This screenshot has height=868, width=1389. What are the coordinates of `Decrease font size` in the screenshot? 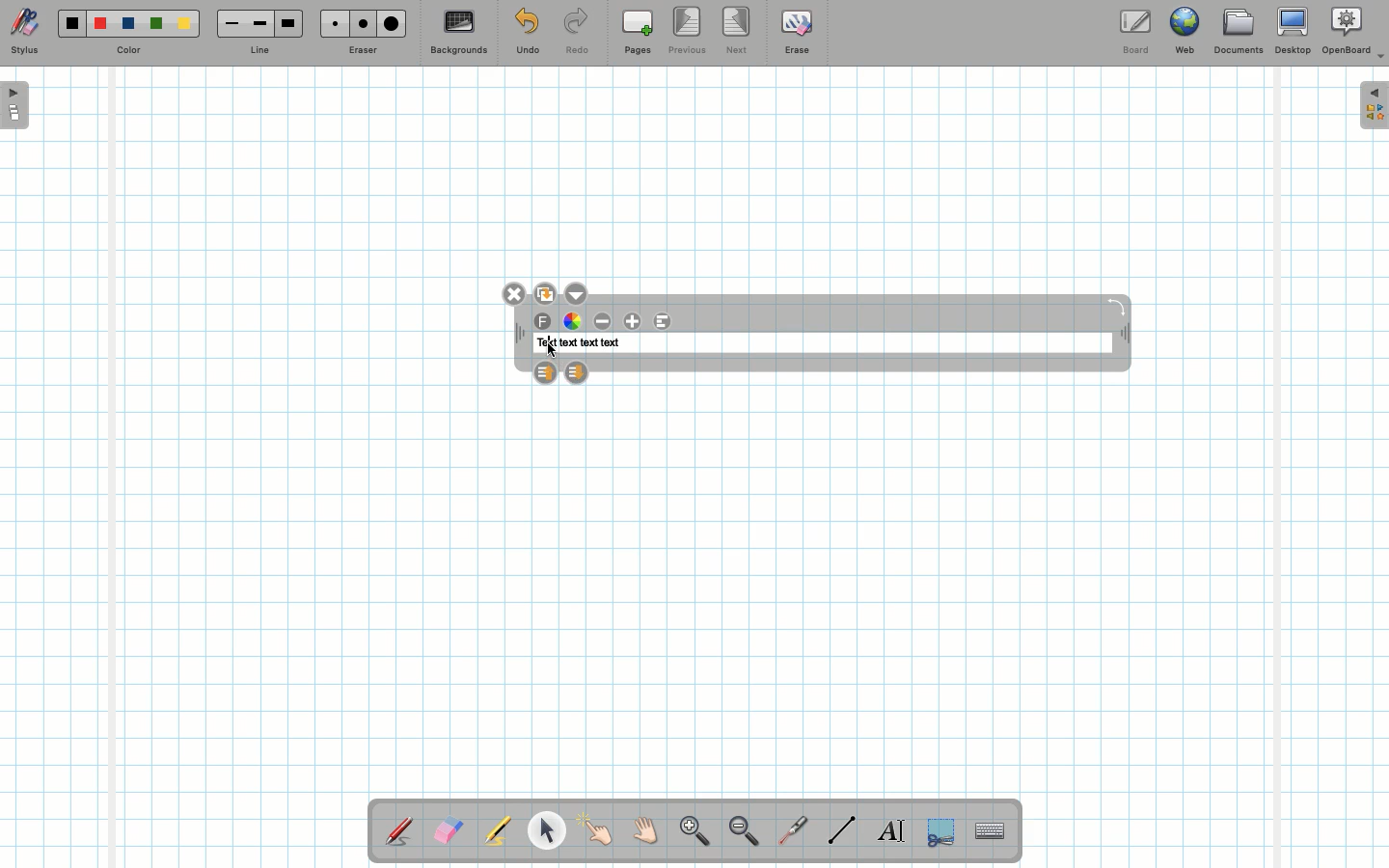 It's located at (604, 321).